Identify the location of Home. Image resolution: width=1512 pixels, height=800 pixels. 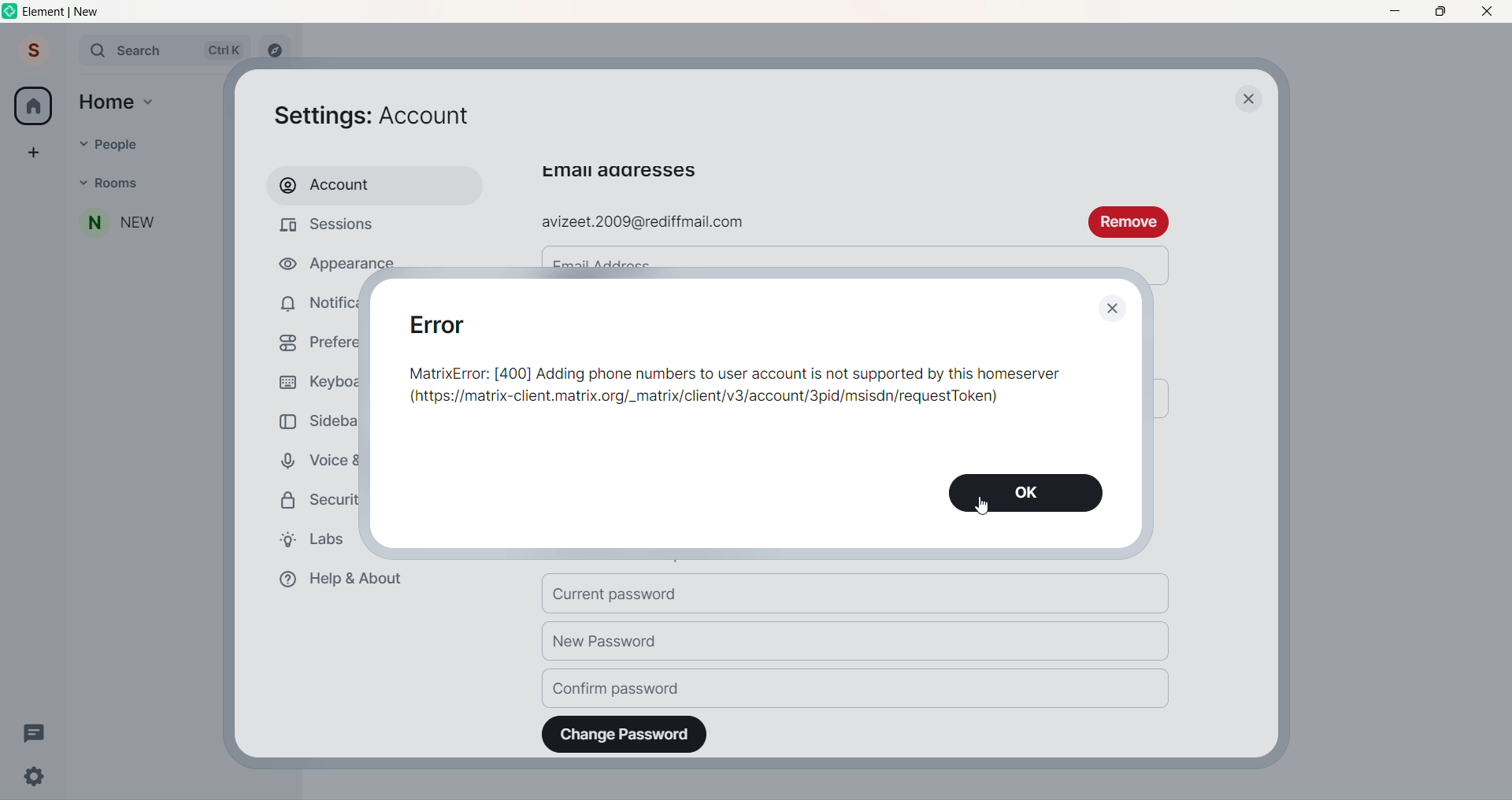
(107, 101).